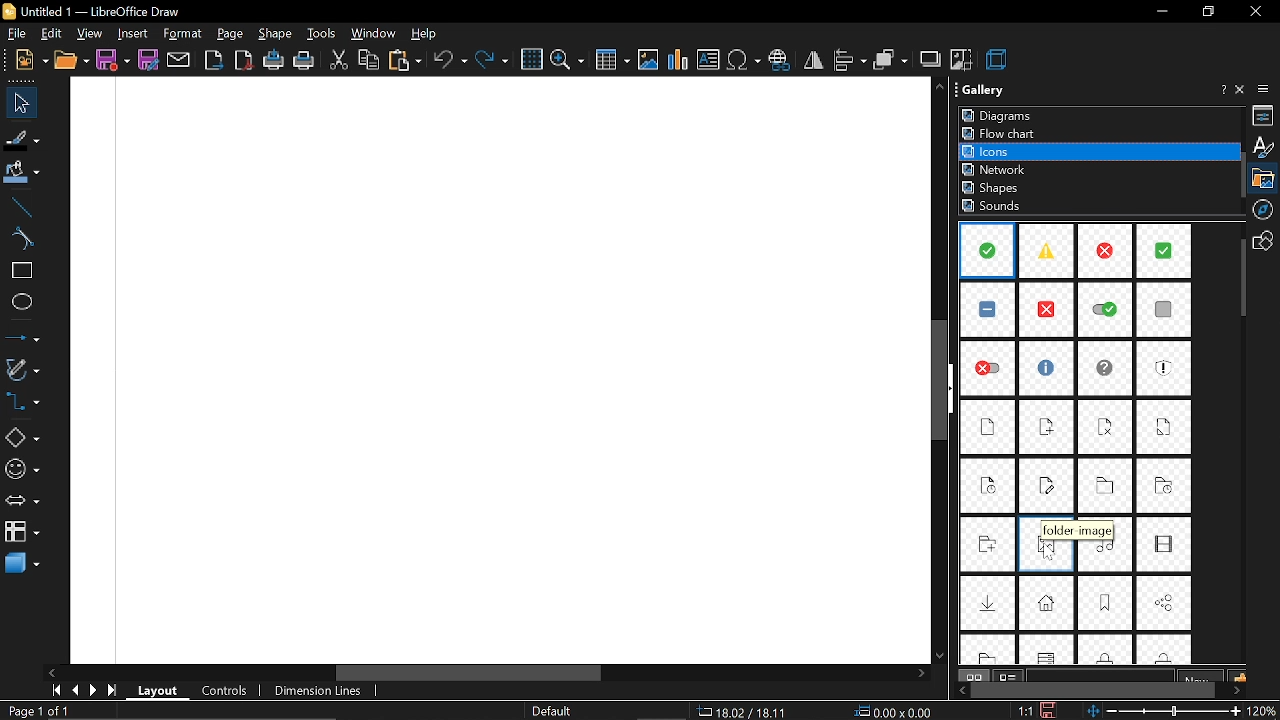  Describe the element at coordinates (305, 60) in the screenshot. I see `print` at that location.